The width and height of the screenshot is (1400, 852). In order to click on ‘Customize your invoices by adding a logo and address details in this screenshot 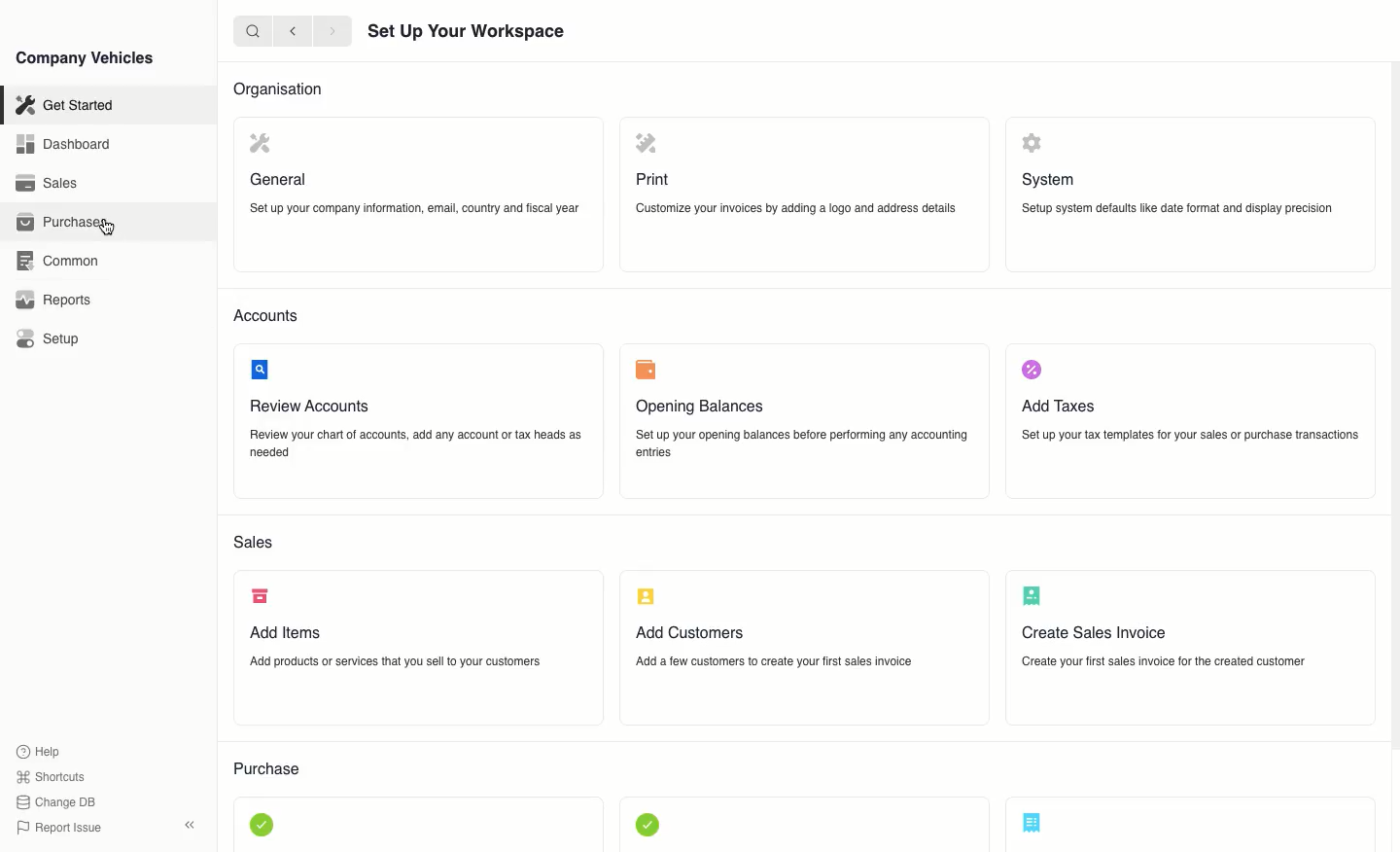, I will do `click(795, 209)`.